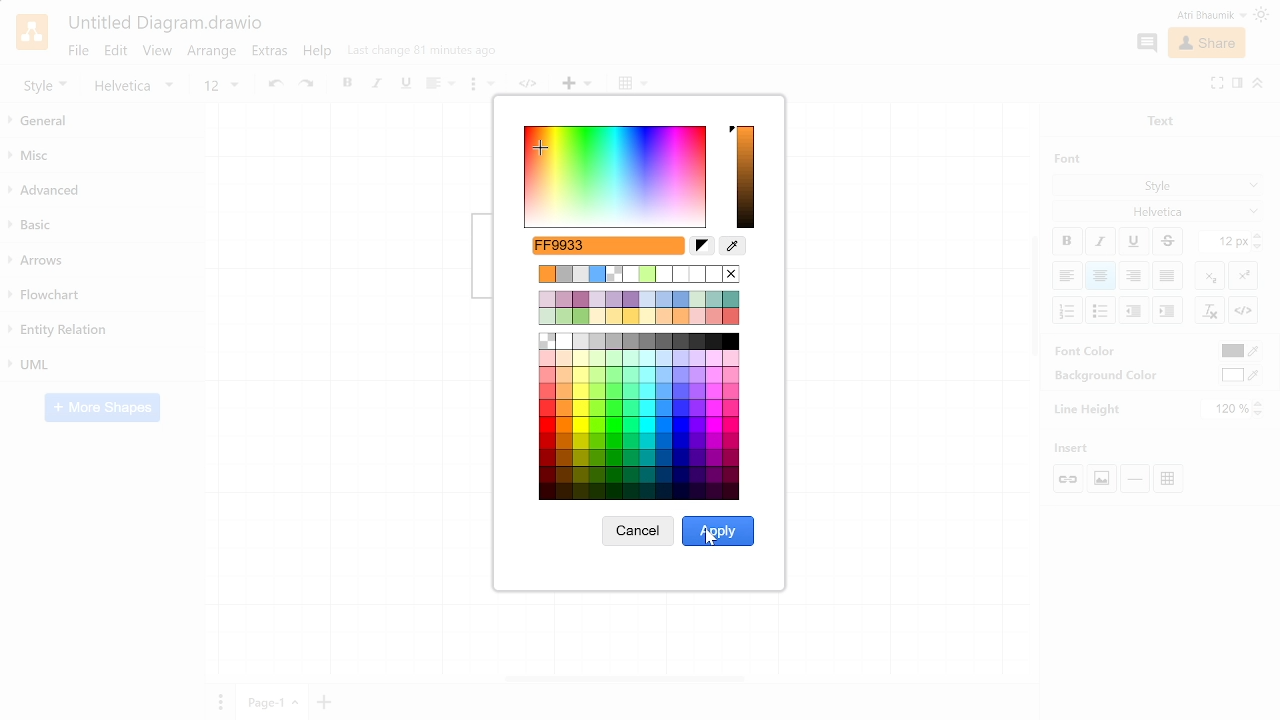 This screenshot has height=720, width=1280. I want to click on Apply, so click(718, 531).